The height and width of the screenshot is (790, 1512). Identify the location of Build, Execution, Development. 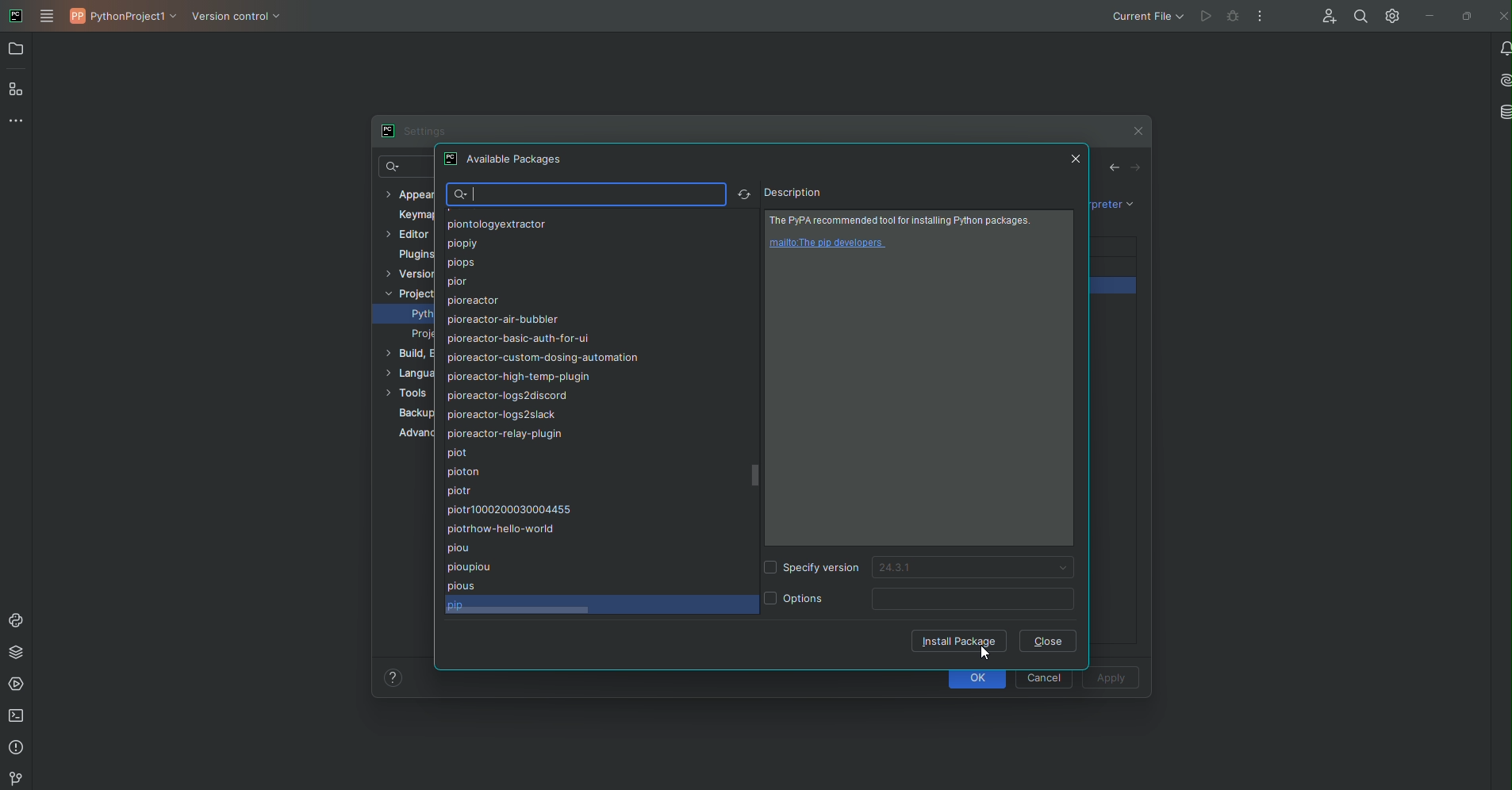
(407, 355).